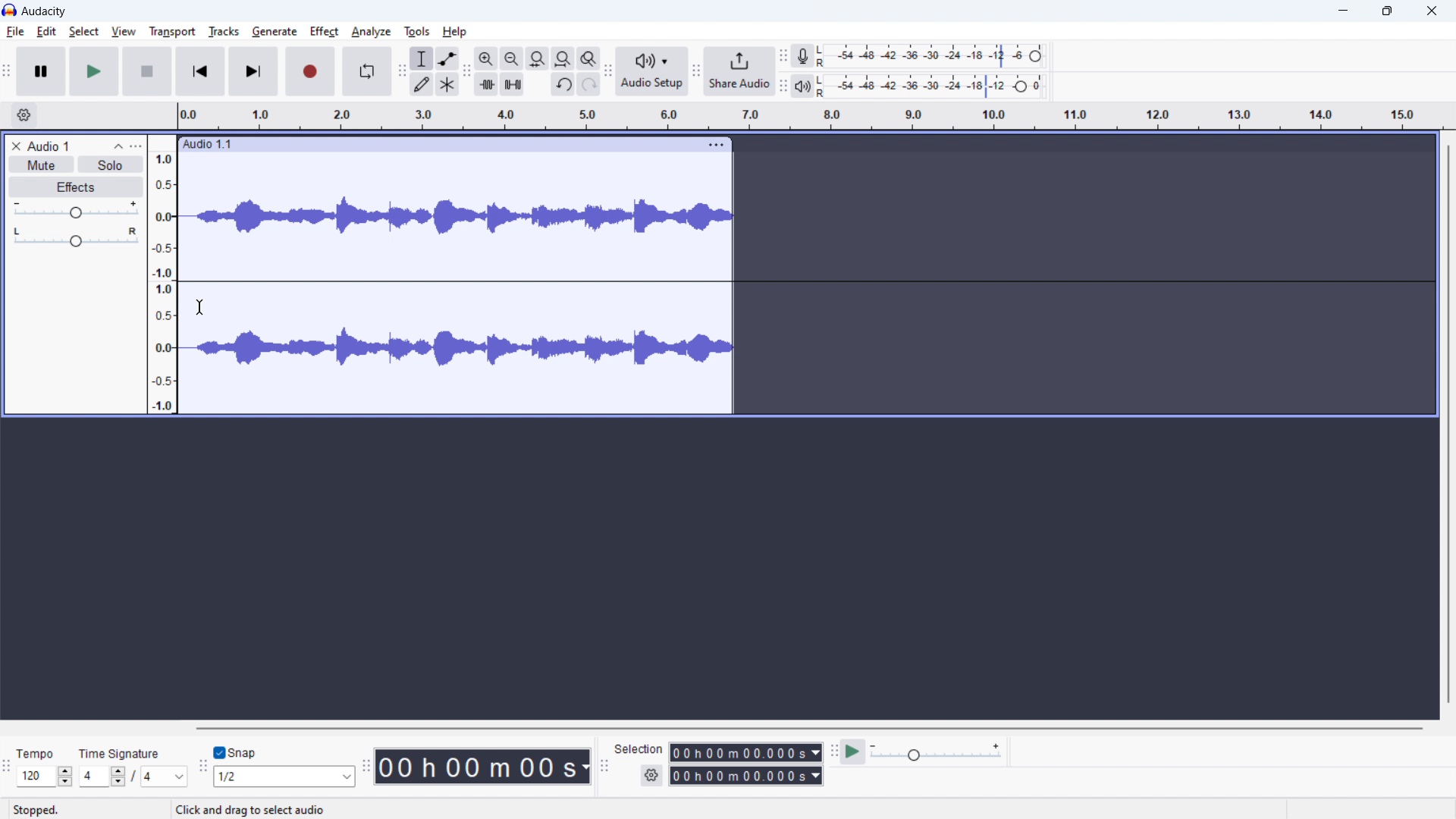 This screenshot has height=819, width=1456. Describe the element at coordinates (853, 752) in the screenshot. I see `play at speed` at that location.